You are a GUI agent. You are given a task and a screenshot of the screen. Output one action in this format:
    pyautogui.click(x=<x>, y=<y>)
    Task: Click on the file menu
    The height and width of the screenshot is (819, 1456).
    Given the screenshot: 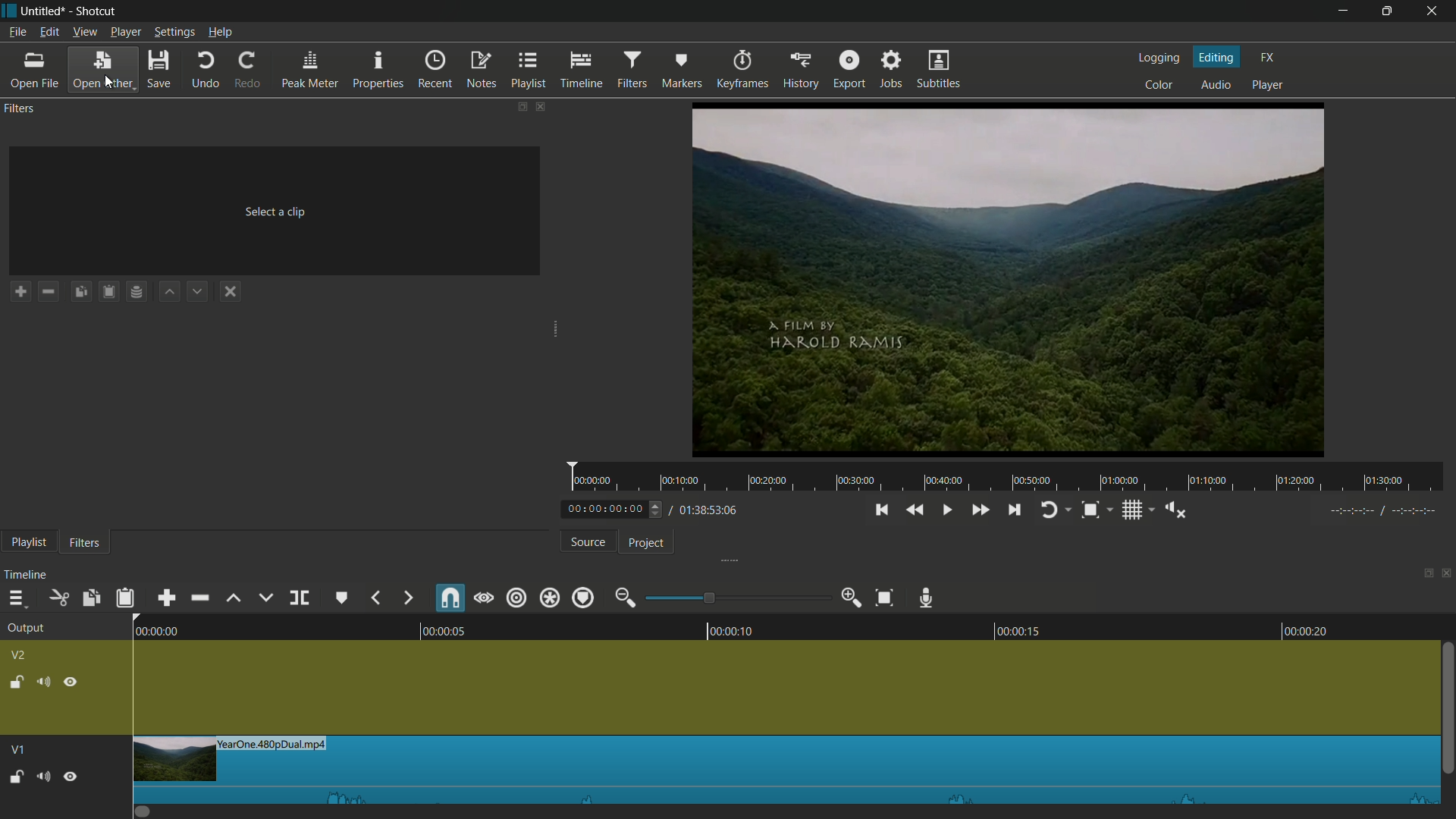 What is the action you would take?
    pyautogui.click(x=17, y=33)
    